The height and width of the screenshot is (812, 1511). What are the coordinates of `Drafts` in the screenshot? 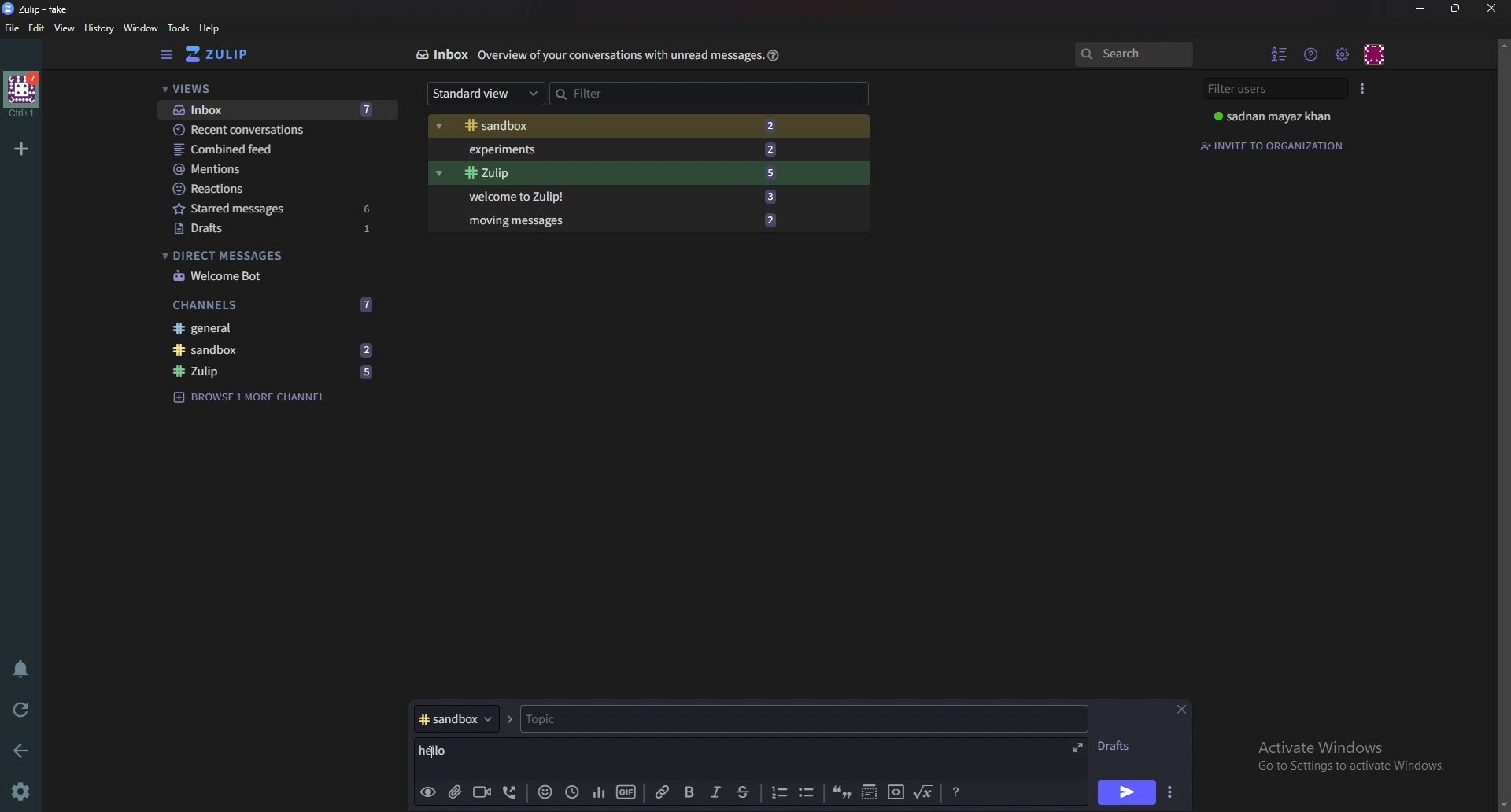 It's located at (1116, 748).